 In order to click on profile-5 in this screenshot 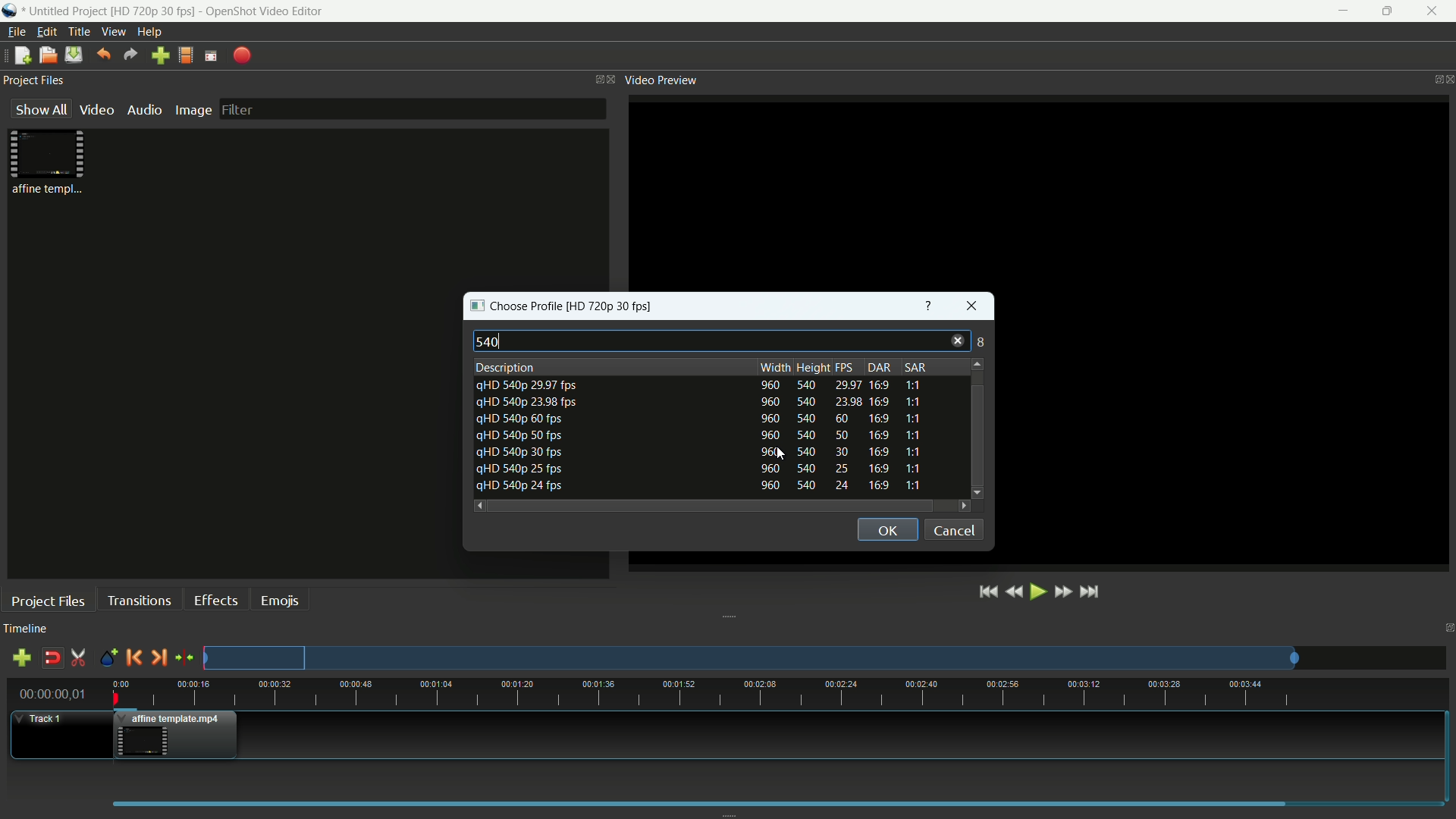, I will do `click(703, 451)`.